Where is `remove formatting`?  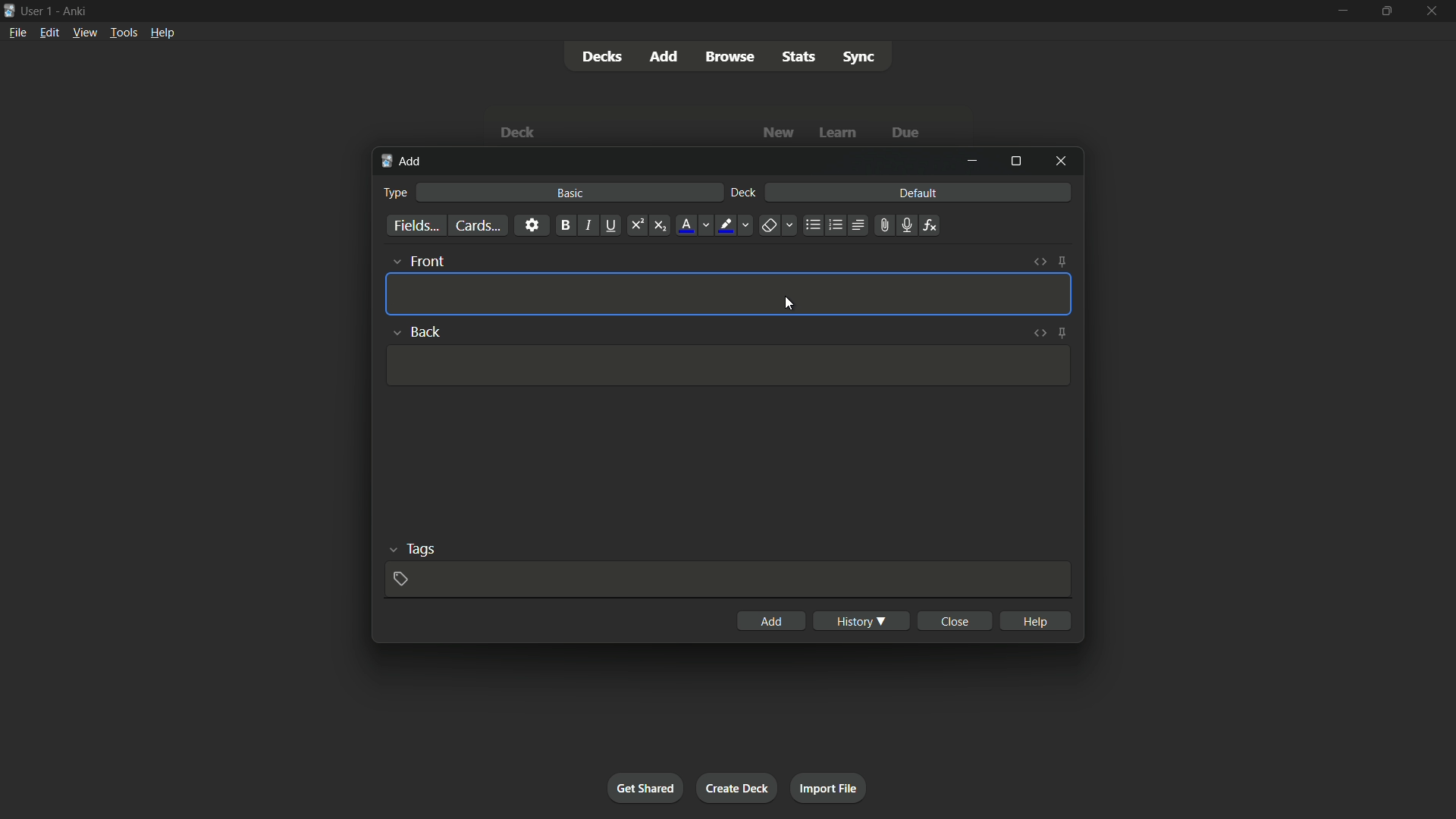 remove formatting is located at coordinates (769, 227).